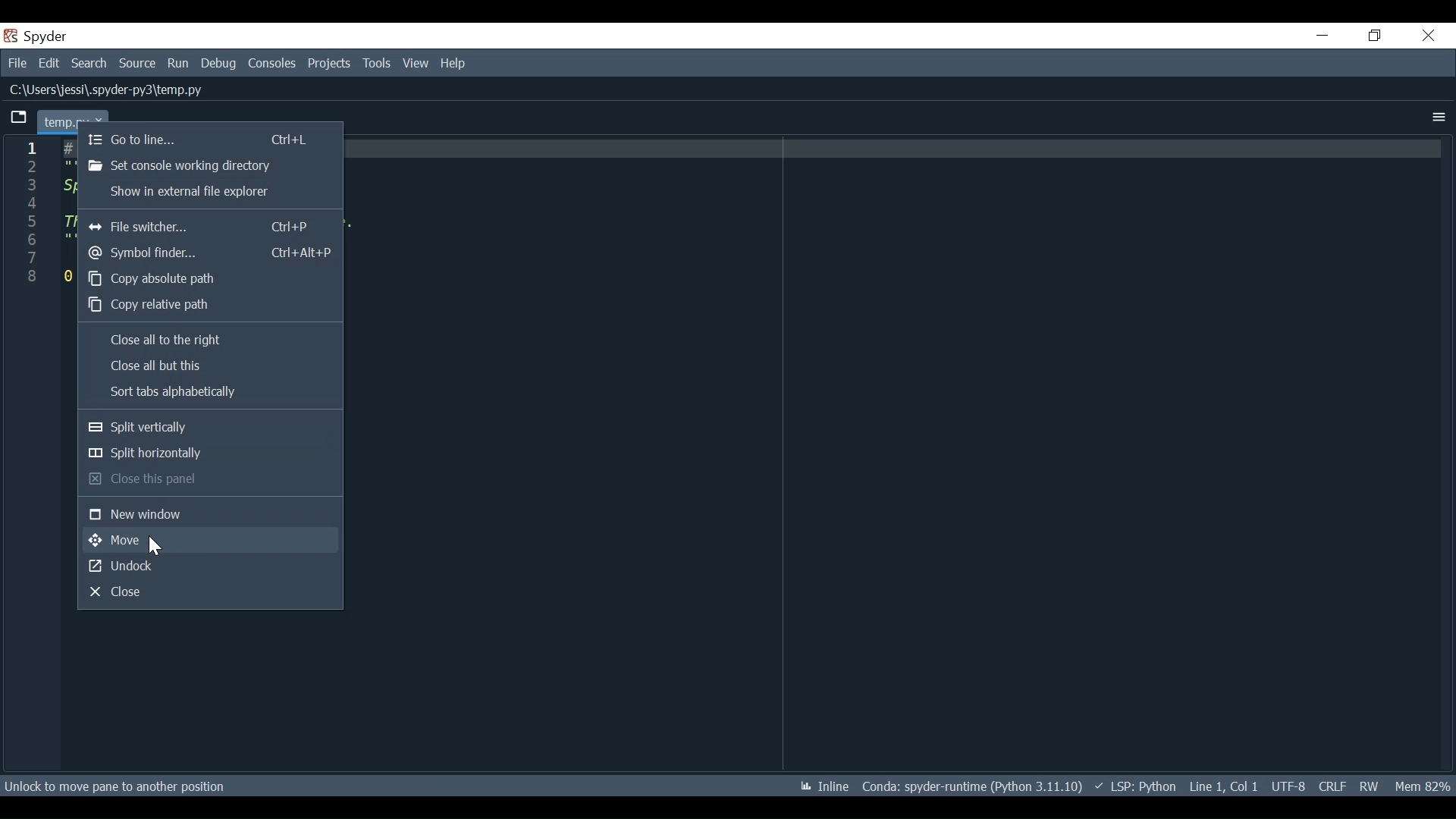 This screenshot has height=819, width=1456. What do you see at coordinates (210, 278) in the screenshot?
I see `Copy absolute path` at bounding box center [210, 278].